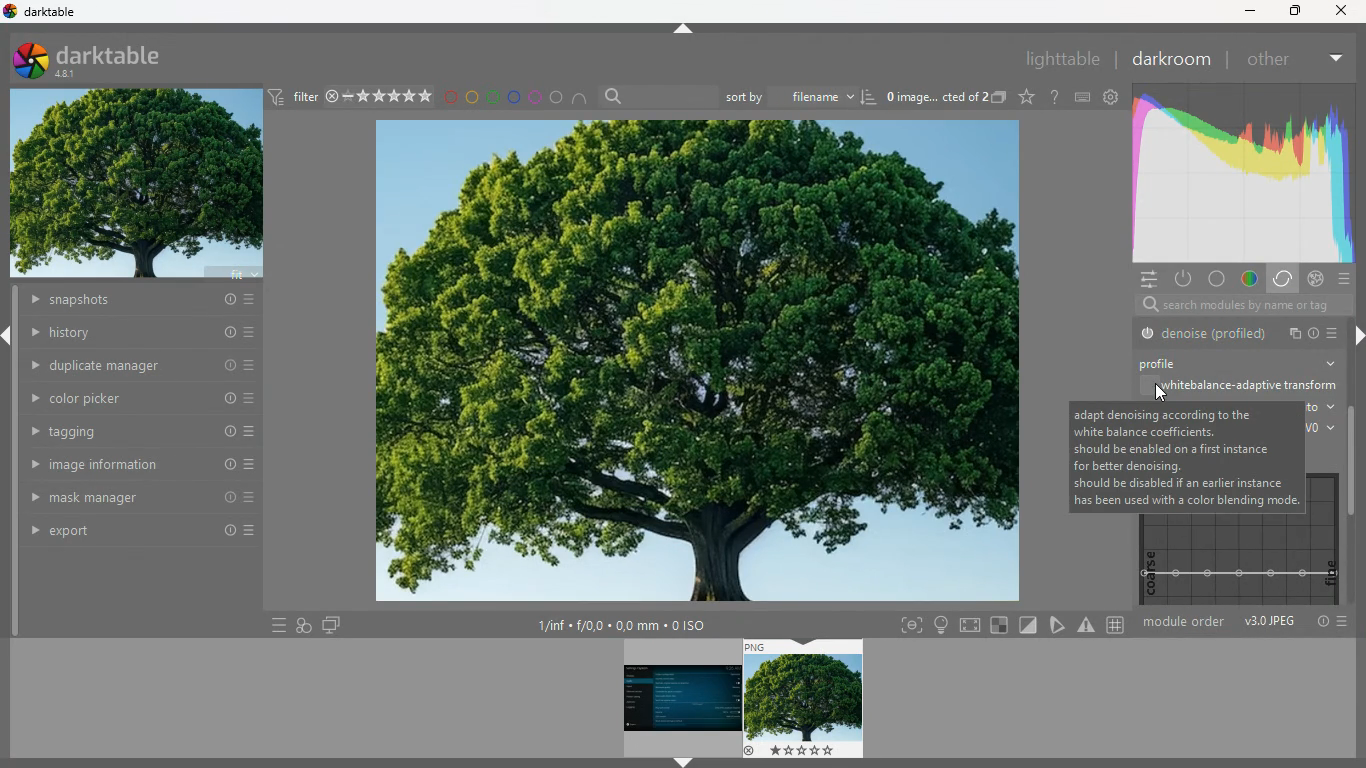 This screenshot has width=1366, height=768. Describe the element at coordinates (1357, 362) in the screenshot. I see `scroll bar` at that location.